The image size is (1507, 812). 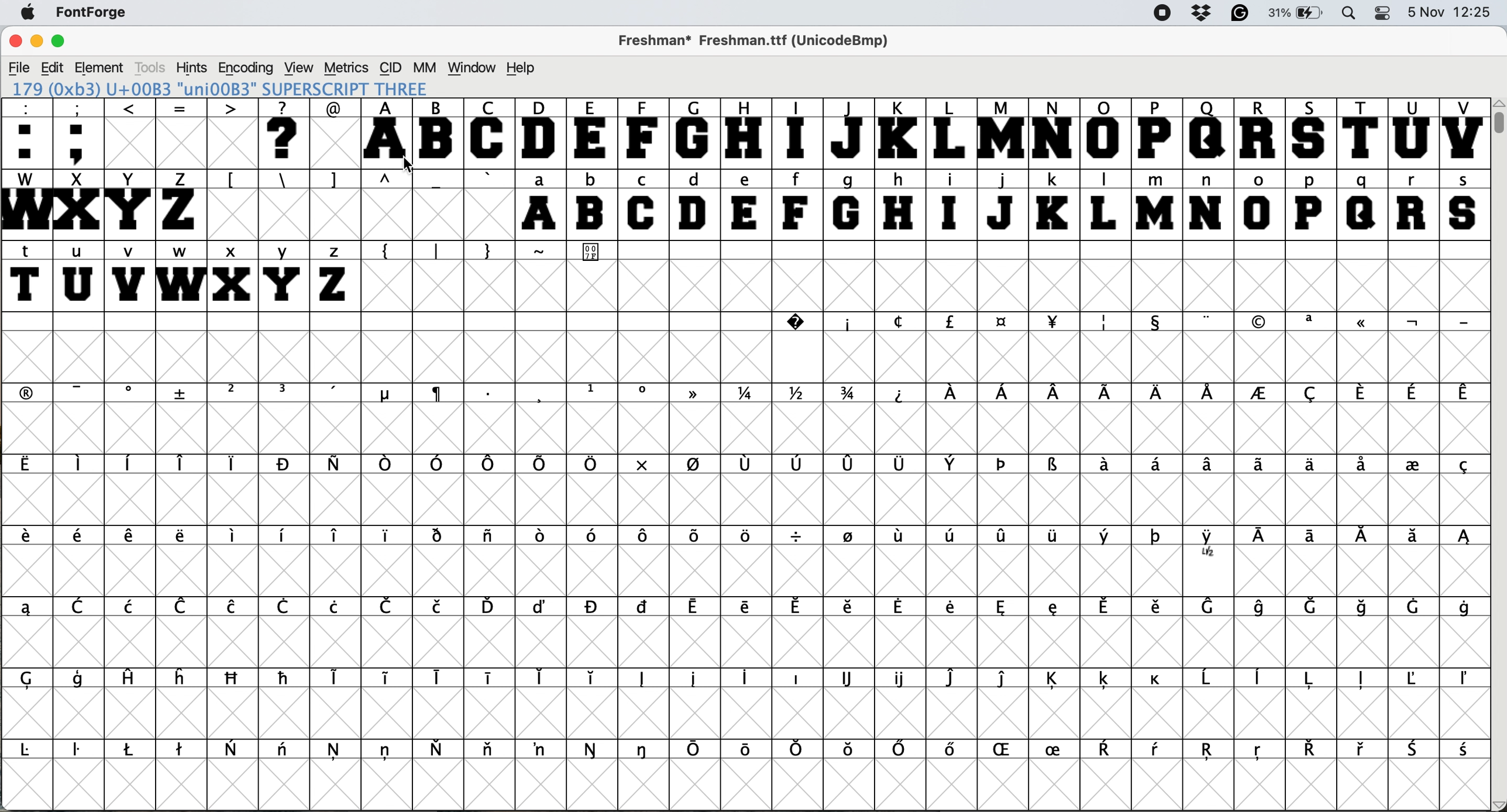 What do you see at coordinates (35, 679) in the screenshot?
I see `symbol` at bounding box center [35, 679].